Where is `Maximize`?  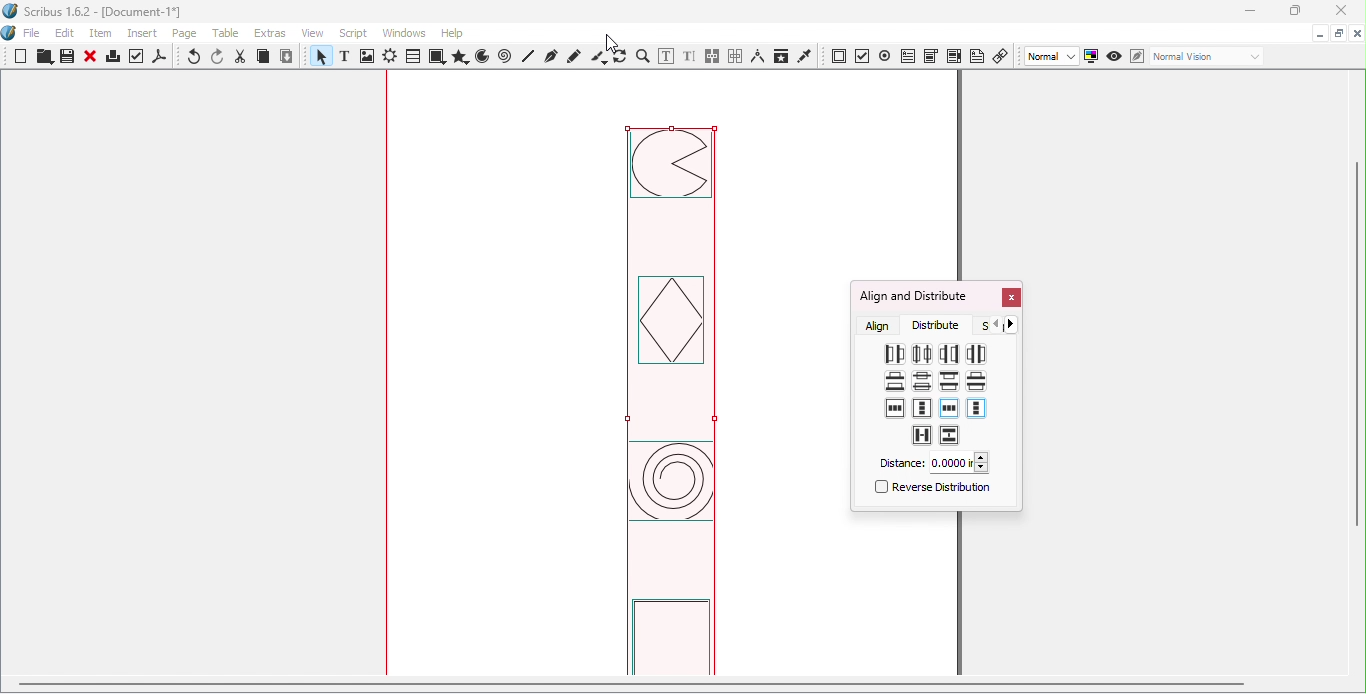
Maximize is located at coordinates (1338, 32).